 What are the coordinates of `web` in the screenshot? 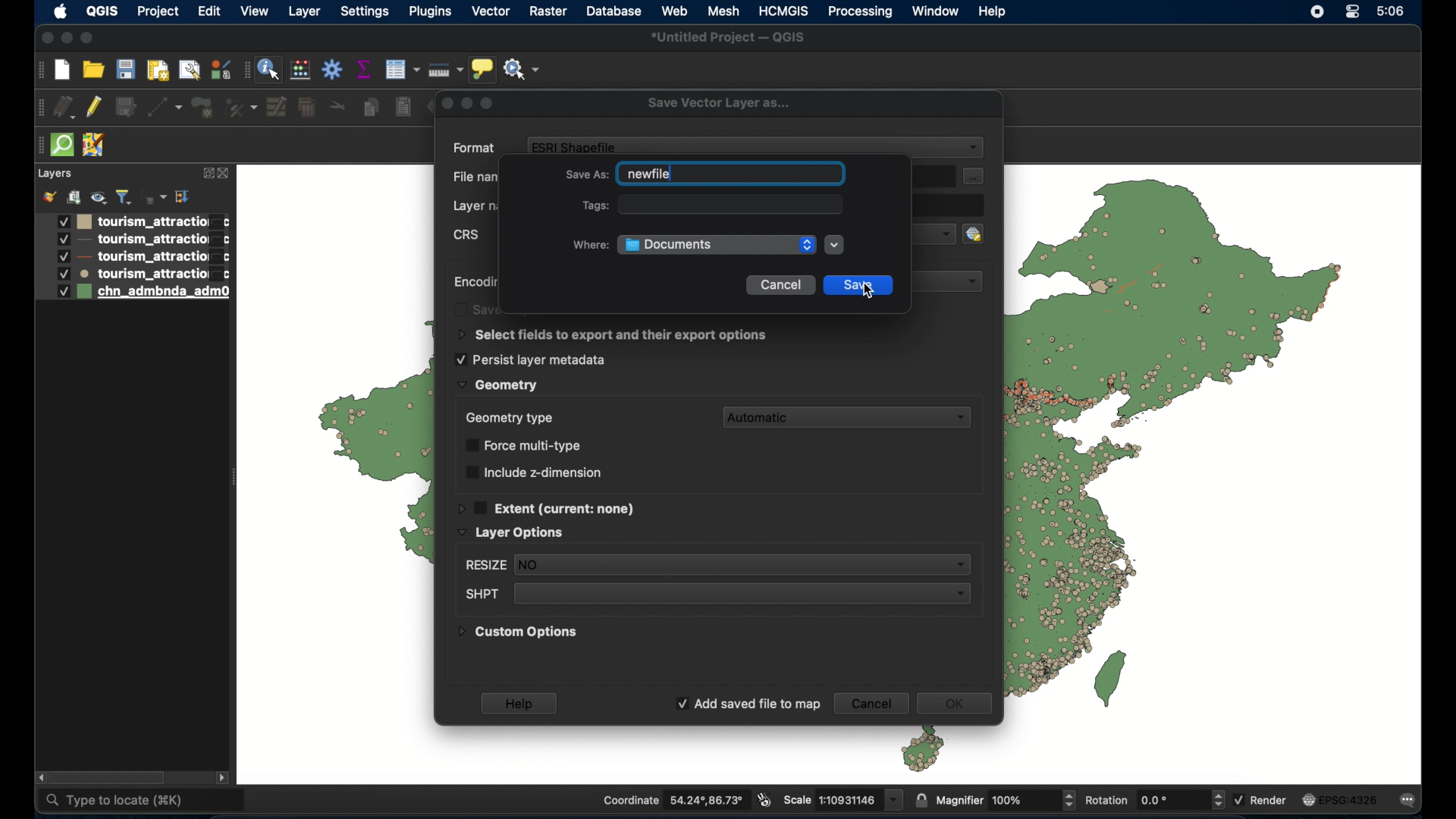 It's located at (675, 10).